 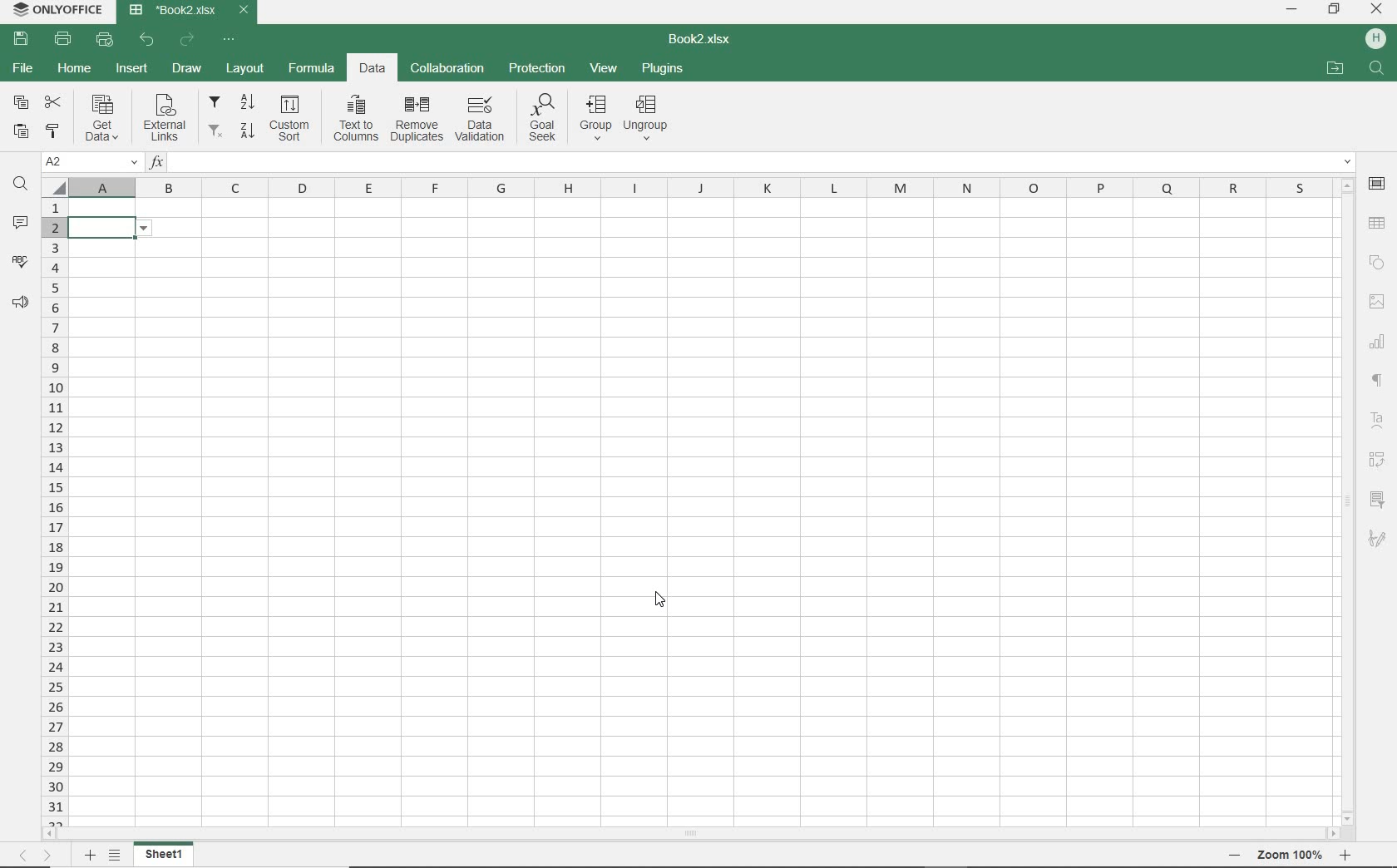 What do you see at coordinates (21, 261) in the screenshot?
I see `SPELL CHECKING` at bounding box center [21, 261].